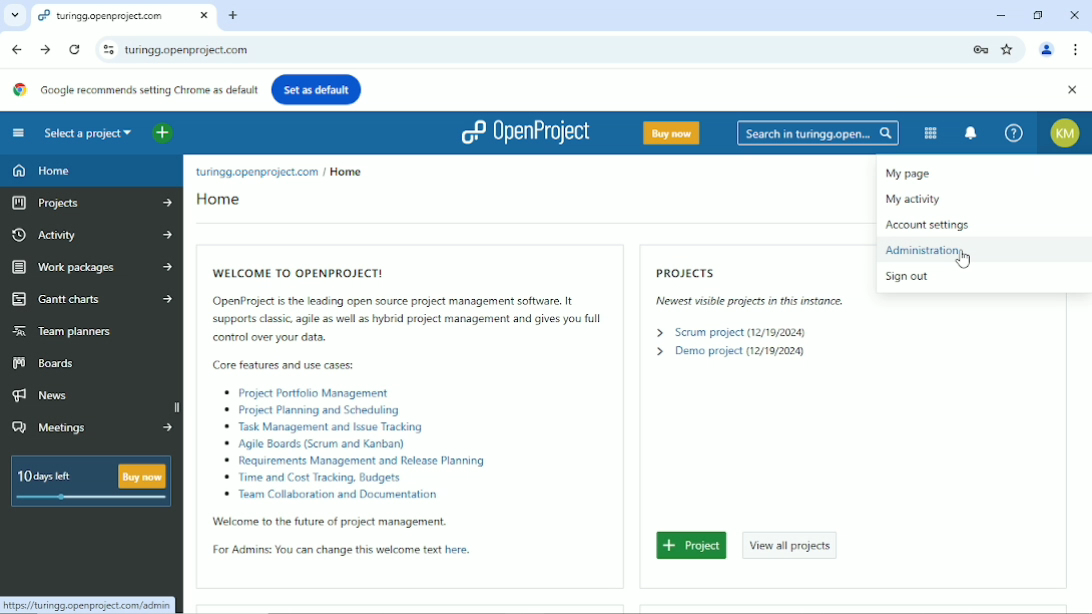  I want to click on Bookmark this tab, so click(1009, 49).